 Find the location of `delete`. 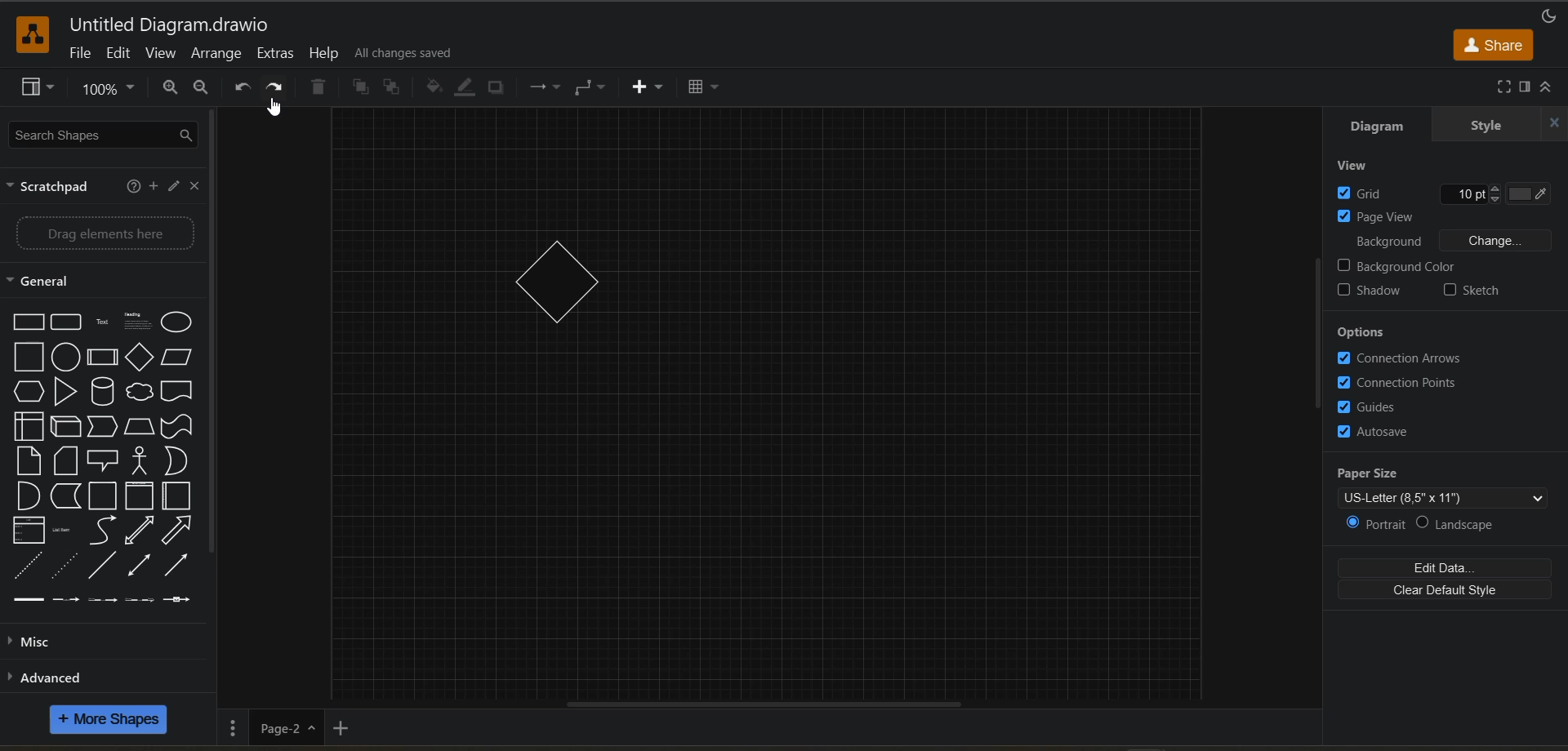

delete is located at coordinates (318, 87).